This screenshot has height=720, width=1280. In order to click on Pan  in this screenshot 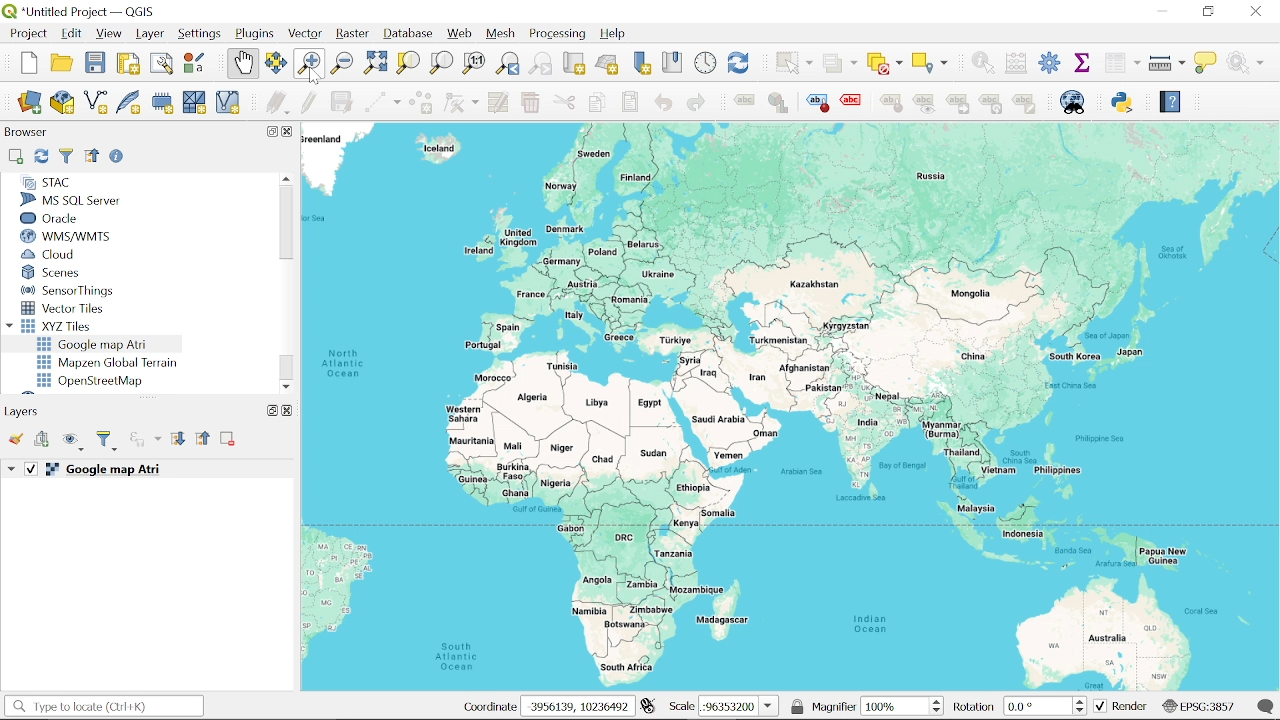, I will do `click(243, 63)`.